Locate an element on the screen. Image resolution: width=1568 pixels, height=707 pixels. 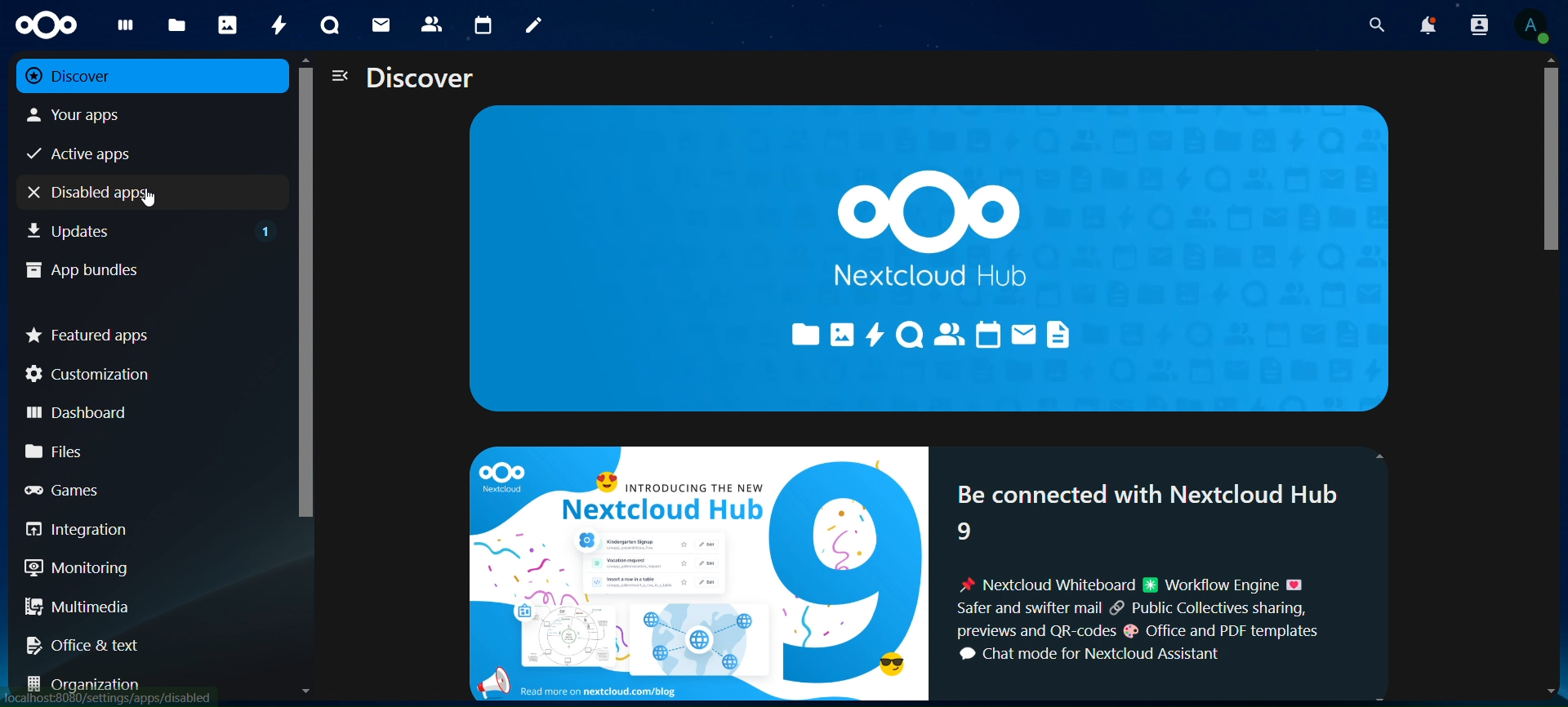
notification is located at coordinates (1427, 26).